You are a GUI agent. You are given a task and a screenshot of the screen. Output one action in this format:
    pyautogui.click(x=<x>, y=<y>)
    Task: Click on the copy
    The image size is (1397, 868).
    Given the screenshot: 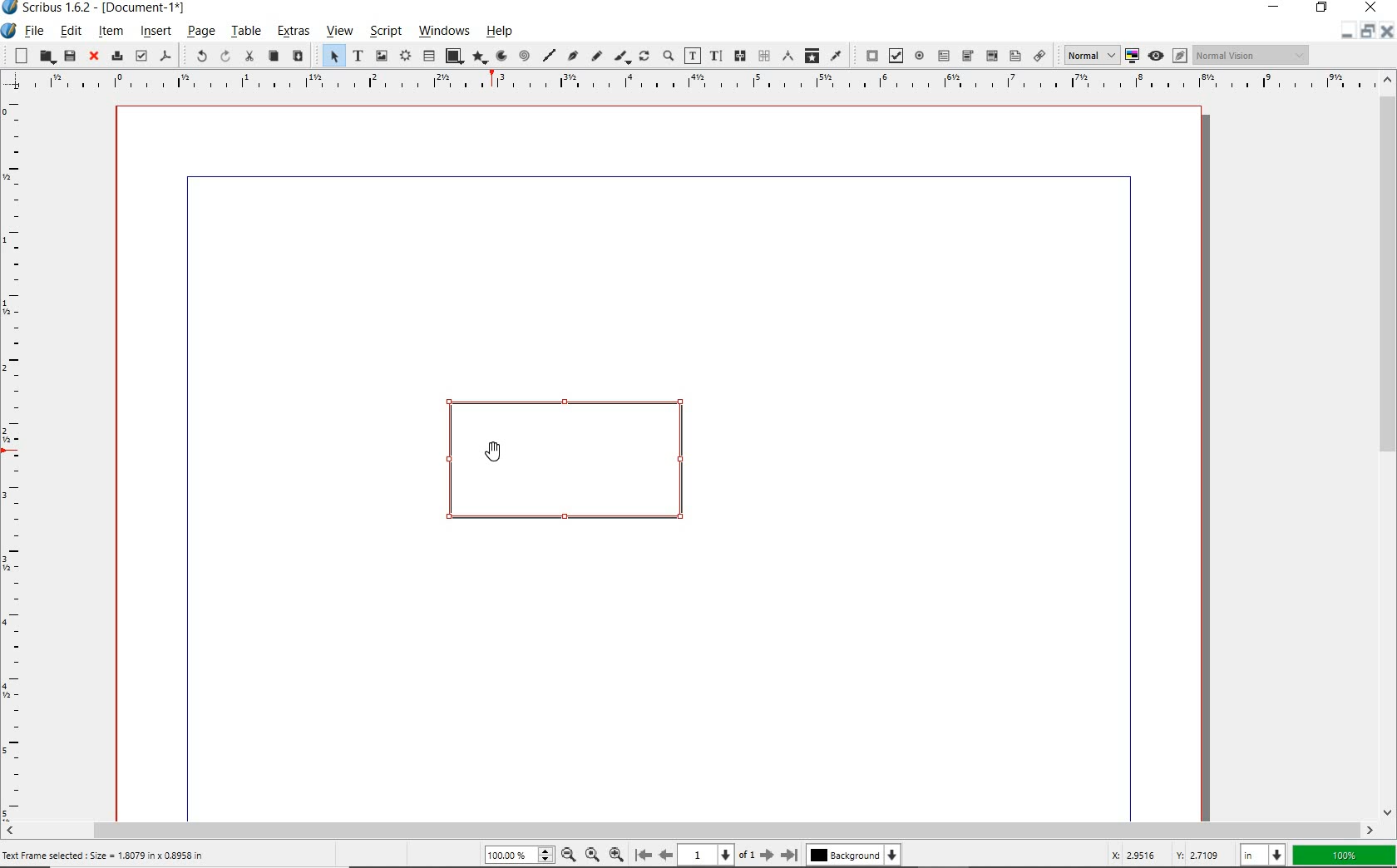 What is the action you would take?
    pyautogui.click(x=274, y=57)
    